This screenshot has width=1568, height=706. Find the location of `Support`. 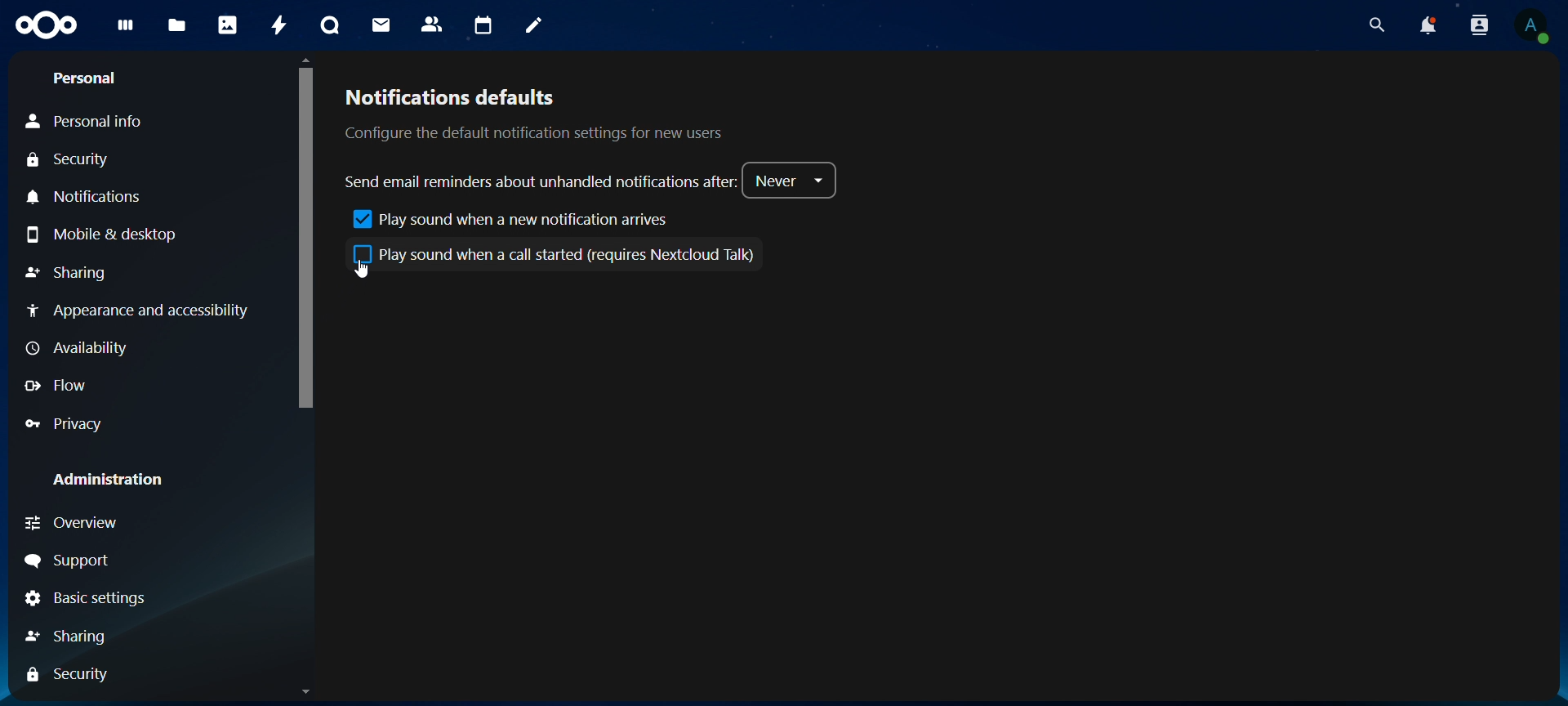

Support is located at coordinates (66, 561).